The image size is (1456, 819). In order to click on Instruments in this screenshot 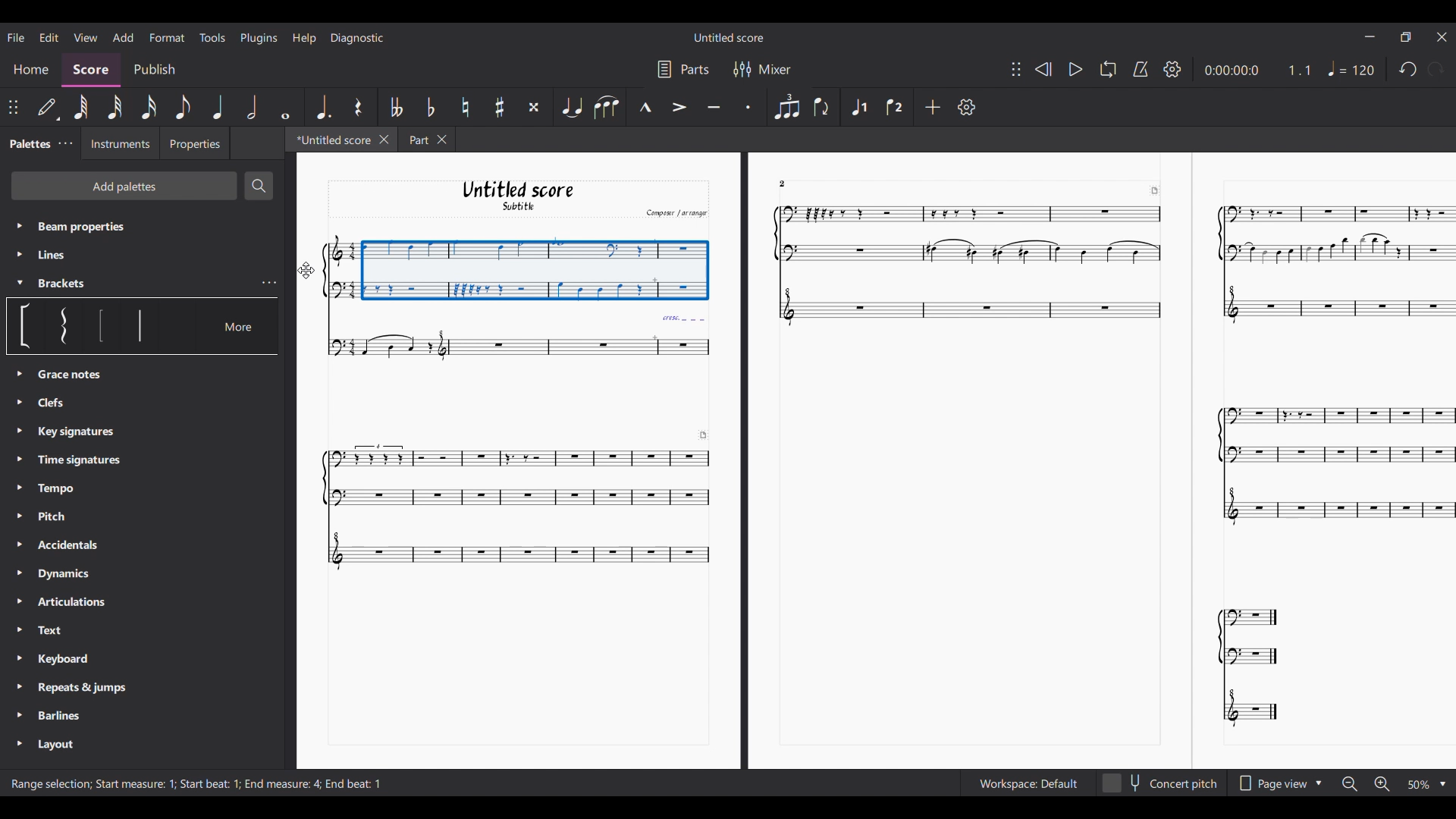, I will do `click(119, 144)`.